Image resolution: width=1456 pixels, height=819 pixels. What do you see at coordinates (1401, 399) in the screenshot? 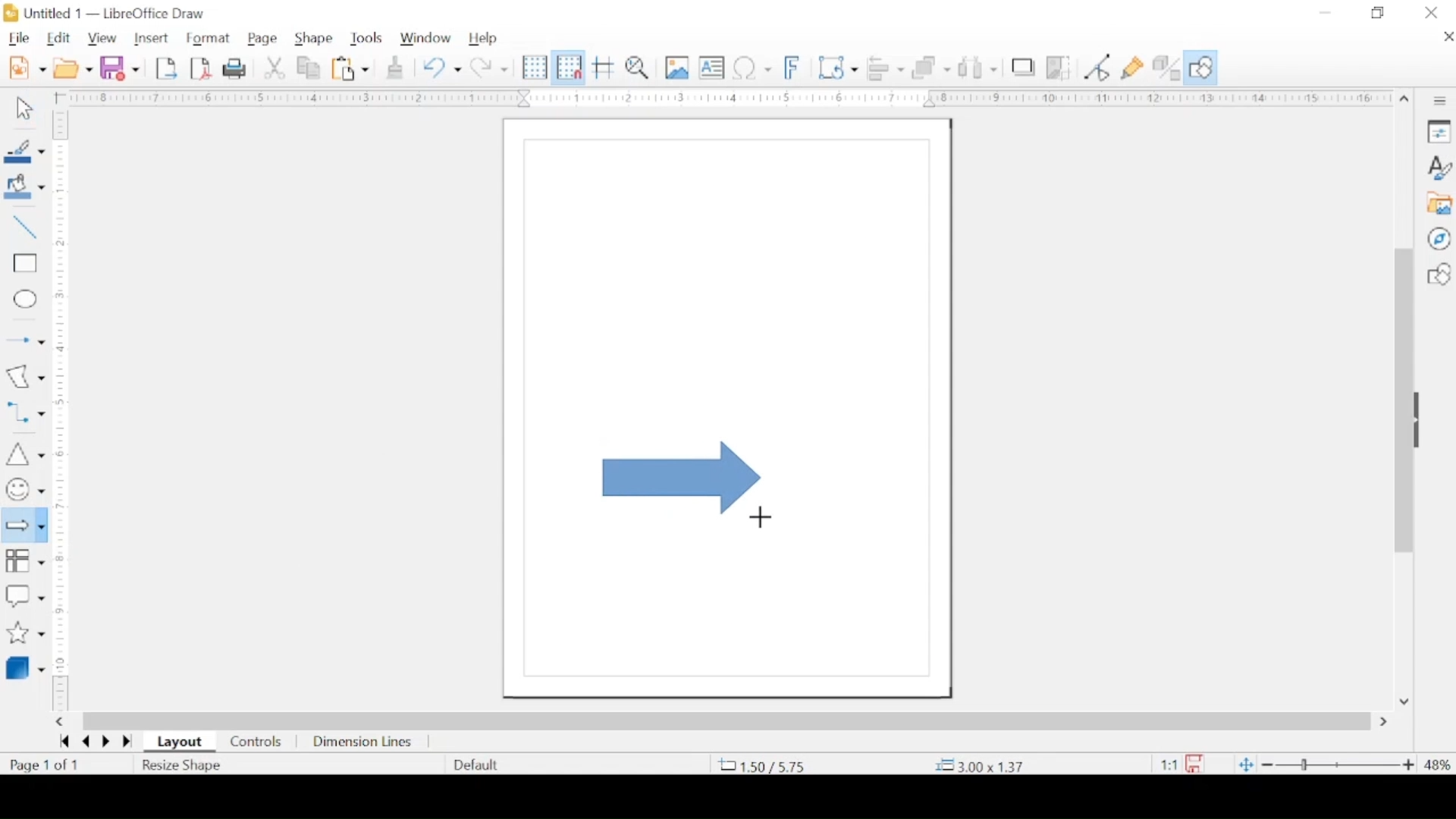
I see `scrolll box` at bounding box center [1401, 399].